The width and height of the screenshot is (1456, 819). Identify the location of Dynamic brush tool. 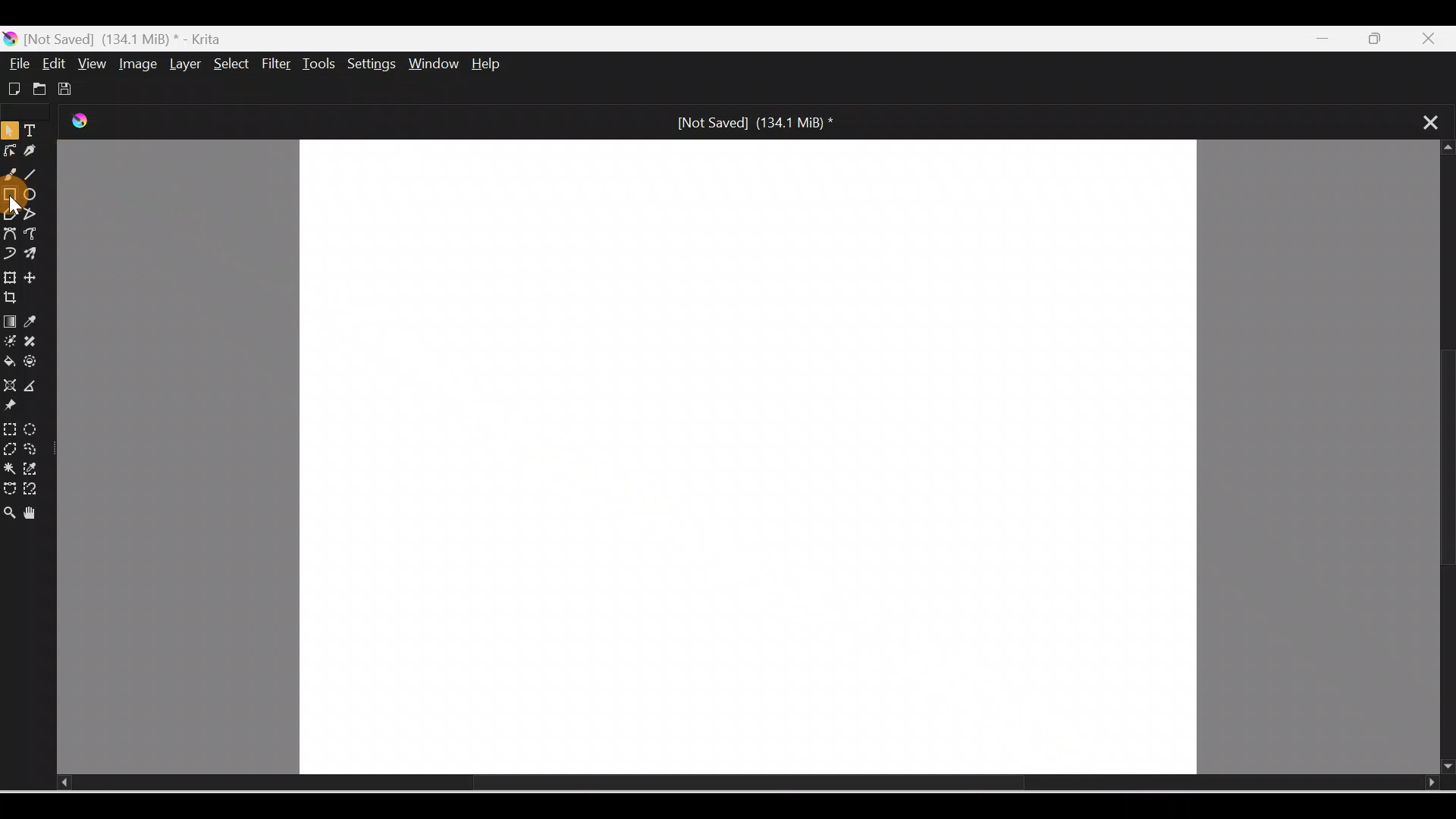
(9, 252).